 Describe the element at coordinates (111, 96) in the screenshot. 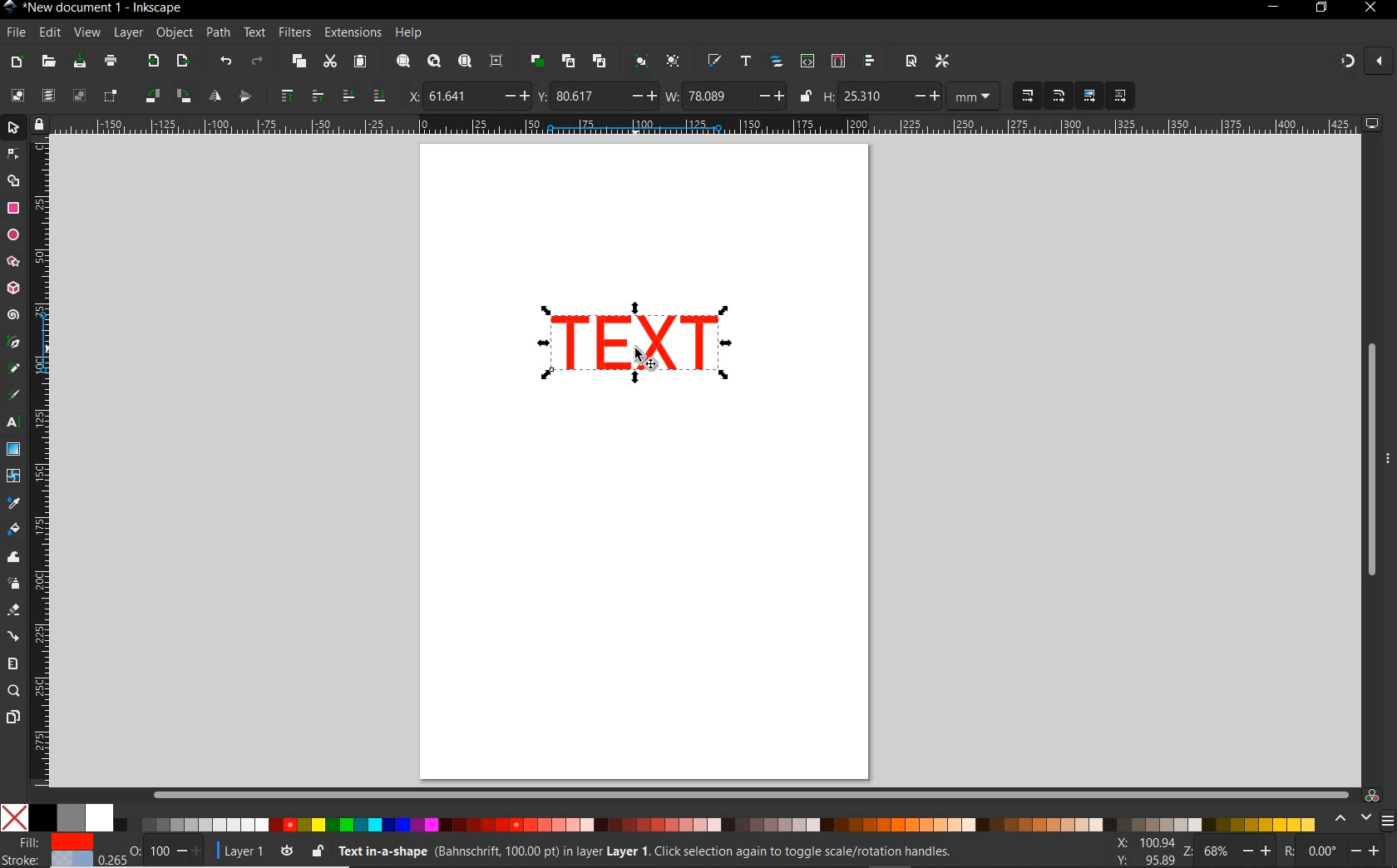

I see `toggle selection box to select all touched objects` at that location.